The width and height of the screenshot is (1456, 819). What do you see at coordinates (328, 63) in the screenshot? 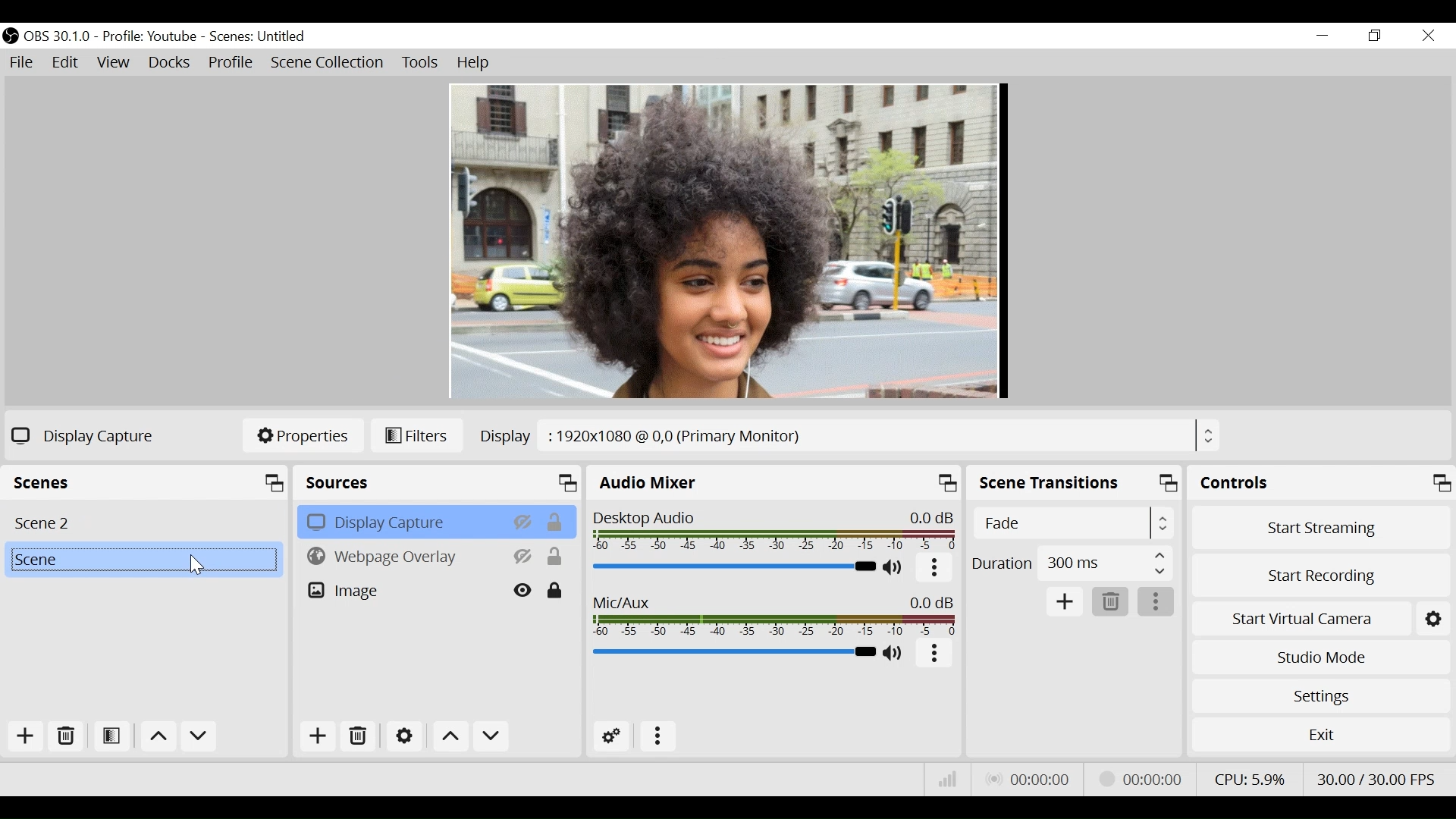
I see `Scene Collection` at bounding box center [328, 63].